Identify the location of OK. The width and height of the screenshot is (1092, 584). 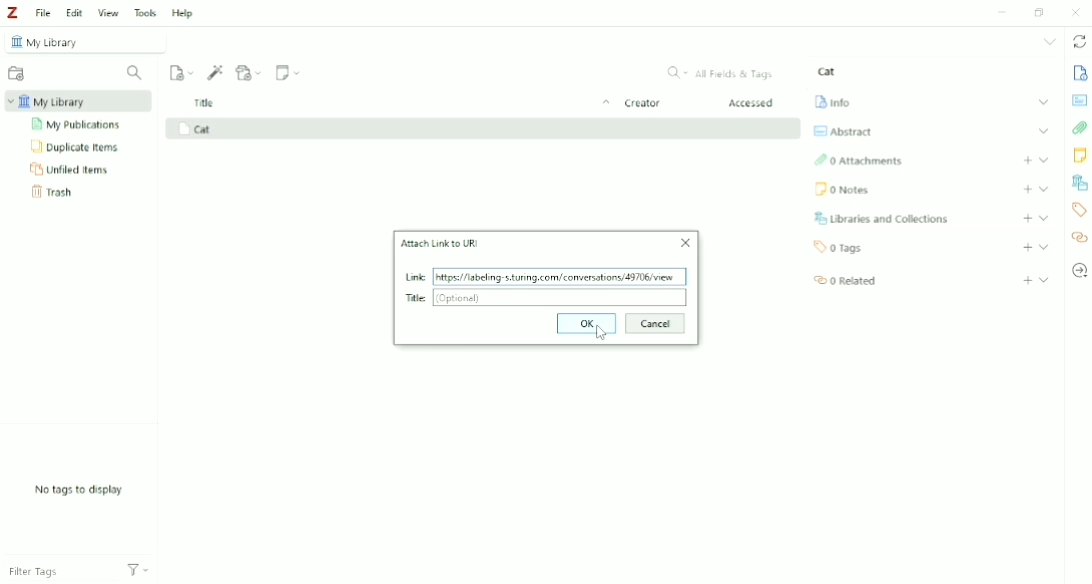
(585, 324).